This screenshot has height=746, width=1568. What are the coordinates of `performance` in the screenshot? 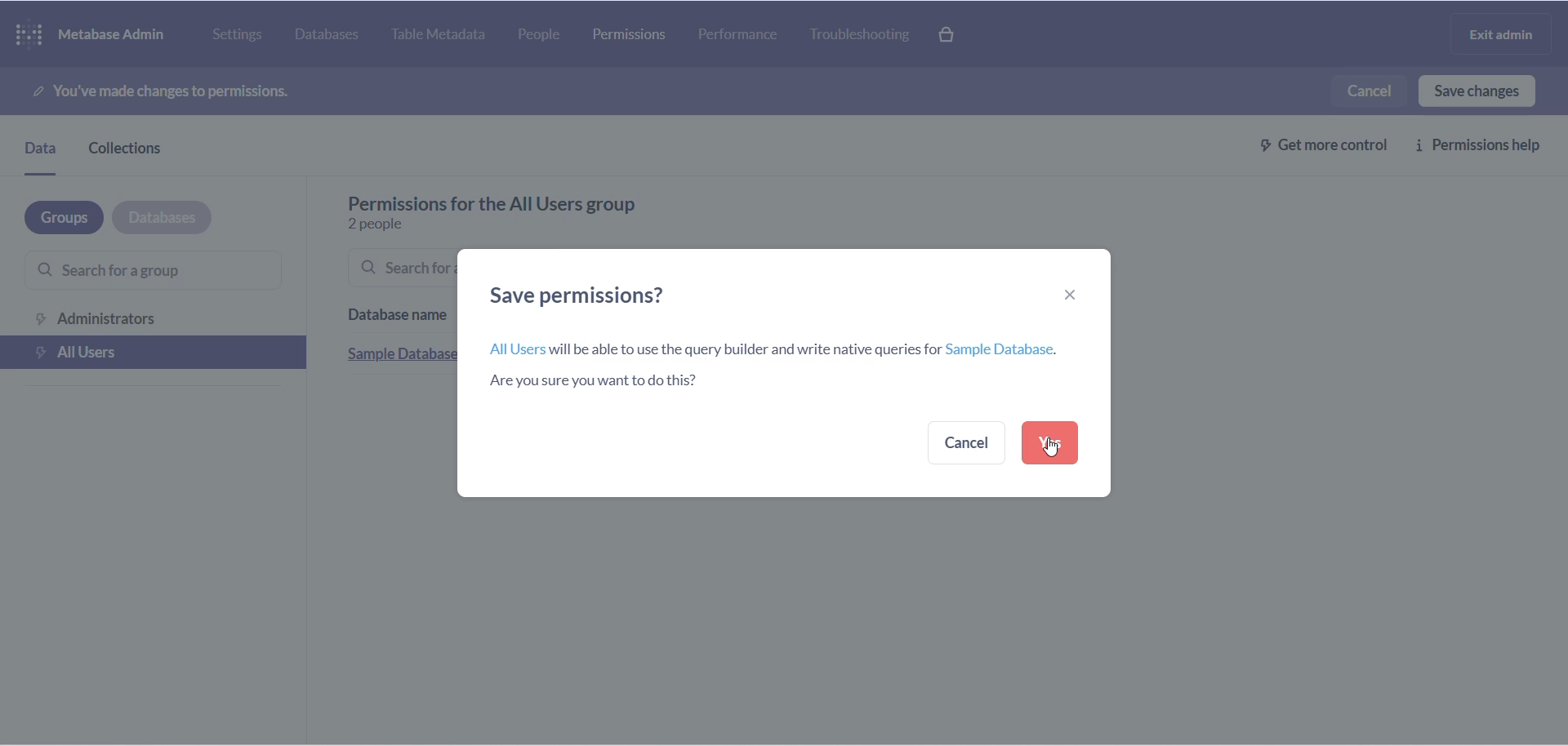 It's located at (739, 33).